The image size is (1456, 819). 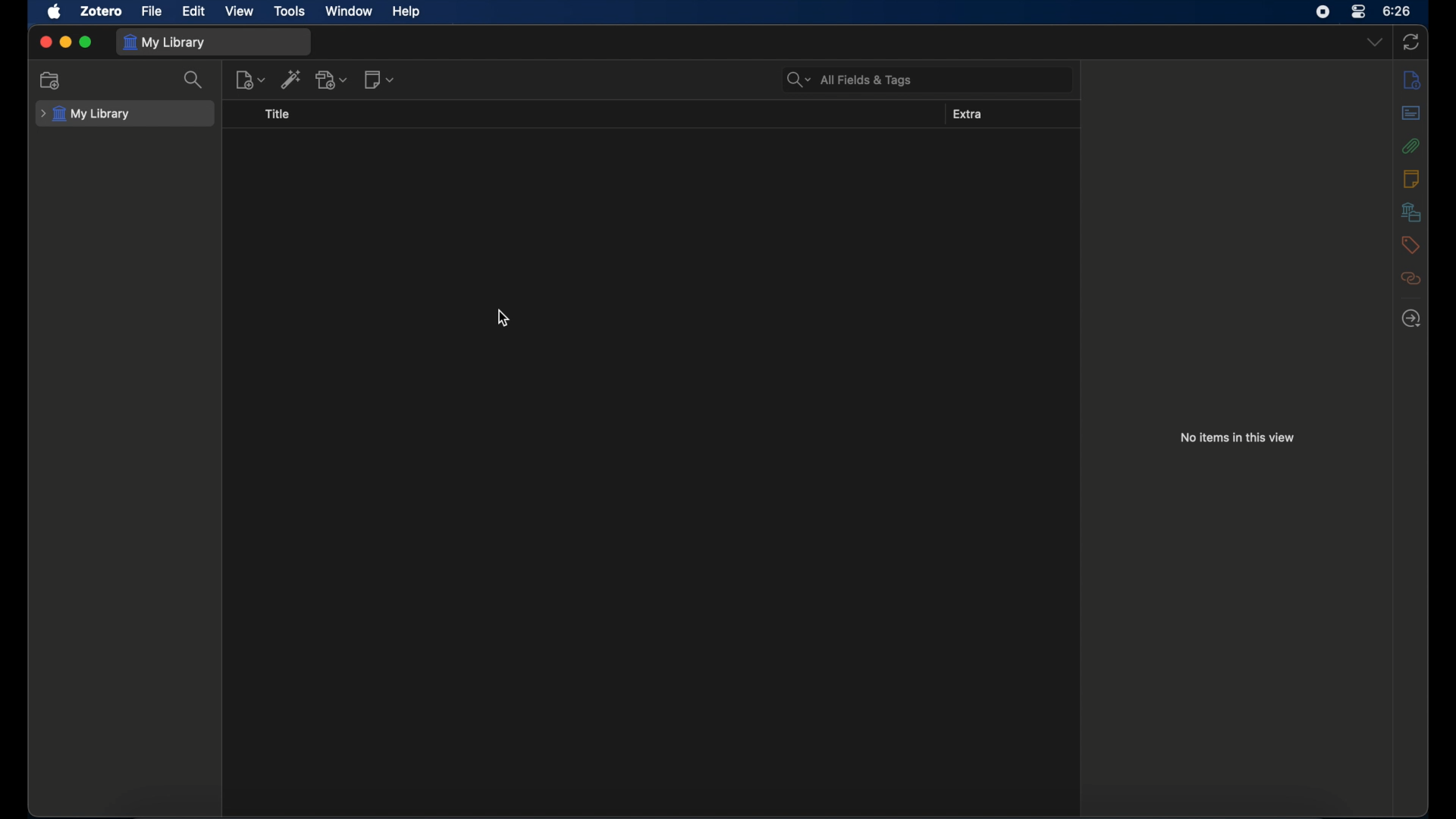 What do you see at coordinates (408, 11) in the screenshot?
I see `help` at bounding box center [408, 11].